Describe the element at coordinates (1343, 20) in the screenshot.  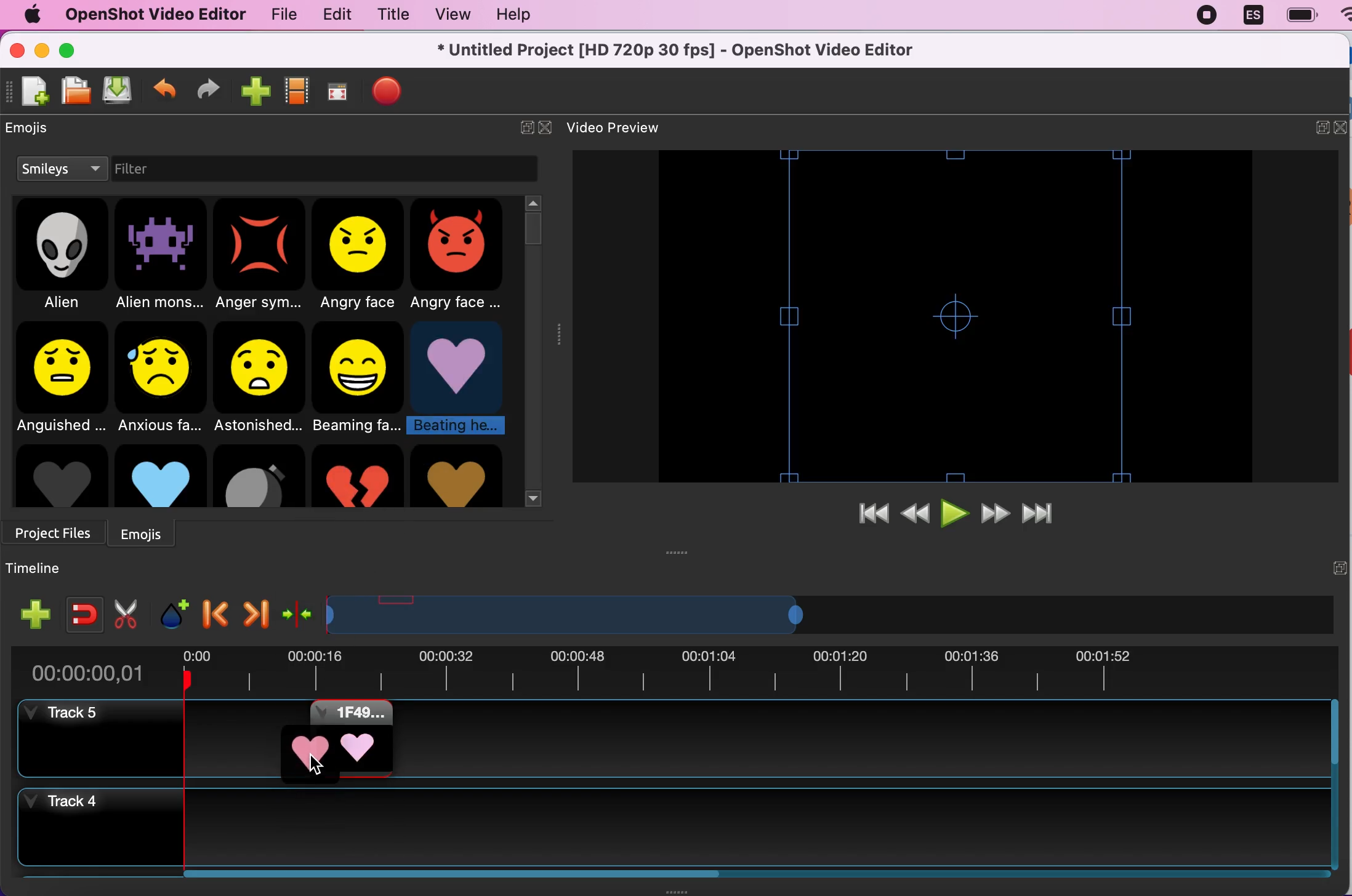
I see `wifi` at that location.